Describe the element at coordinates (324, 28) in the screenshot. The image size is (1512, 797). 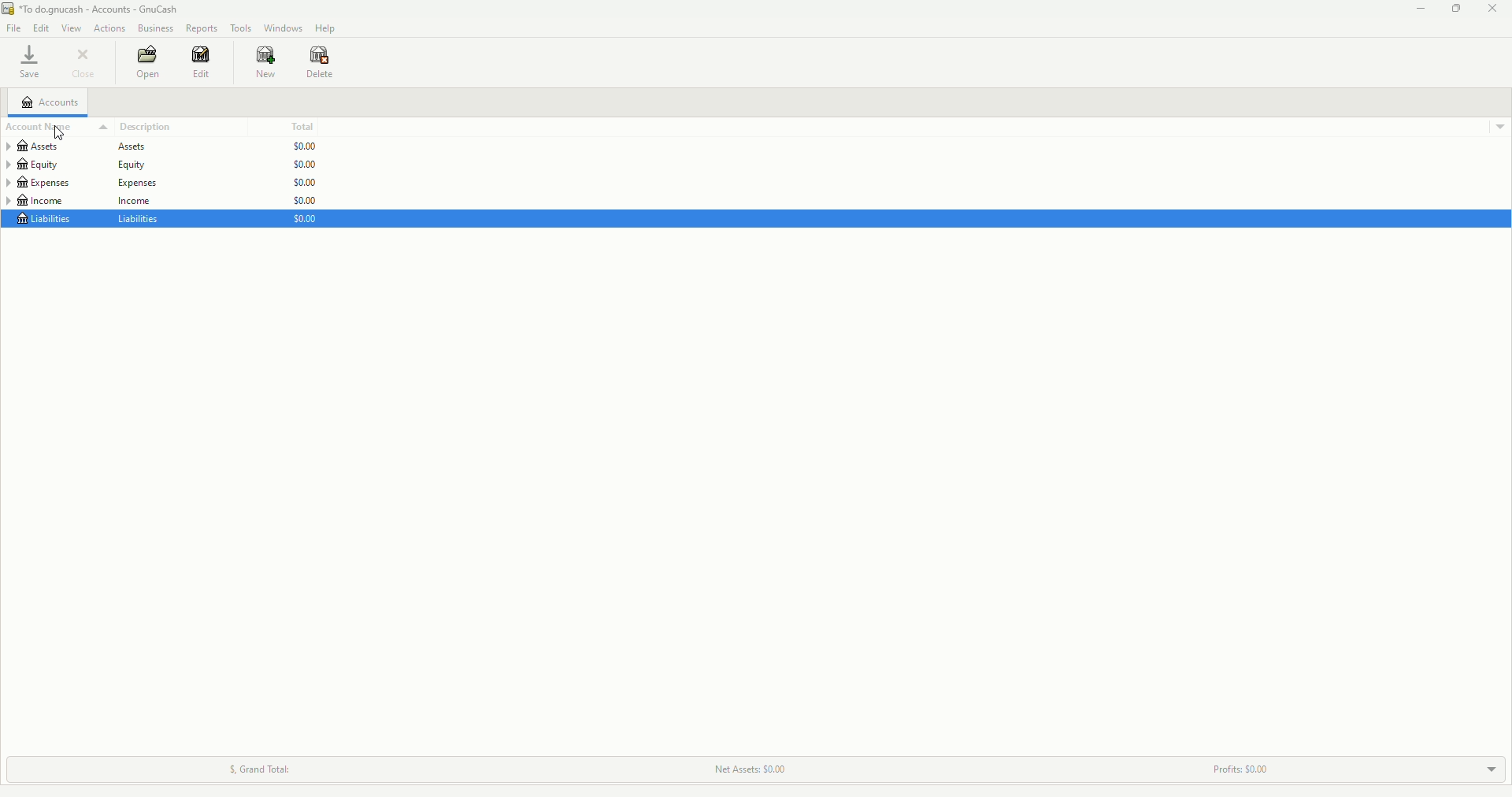
I see `Help` at that location.